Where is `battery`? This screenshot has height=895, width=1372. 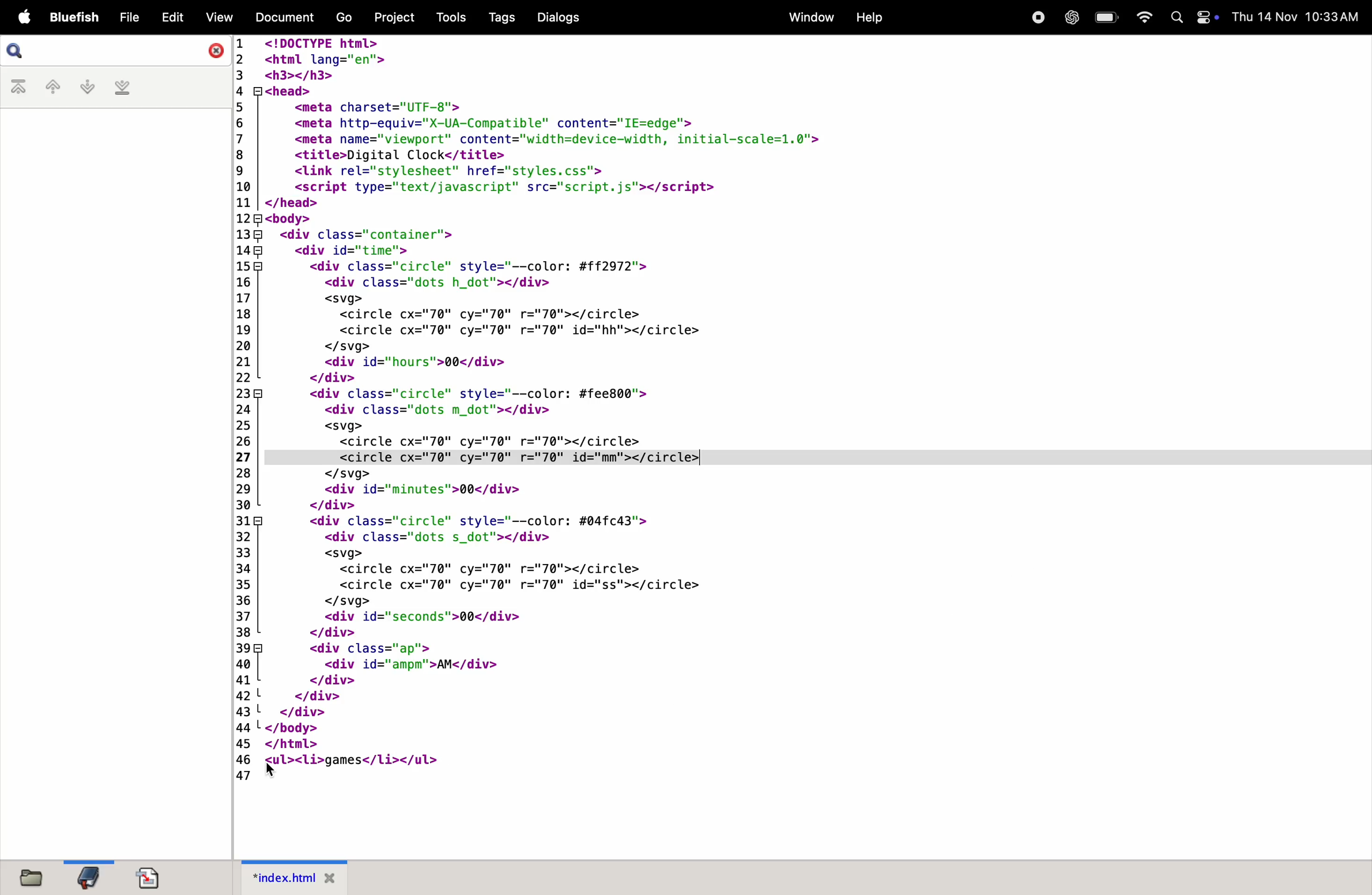 battery is located at coordinates (1104, 18).